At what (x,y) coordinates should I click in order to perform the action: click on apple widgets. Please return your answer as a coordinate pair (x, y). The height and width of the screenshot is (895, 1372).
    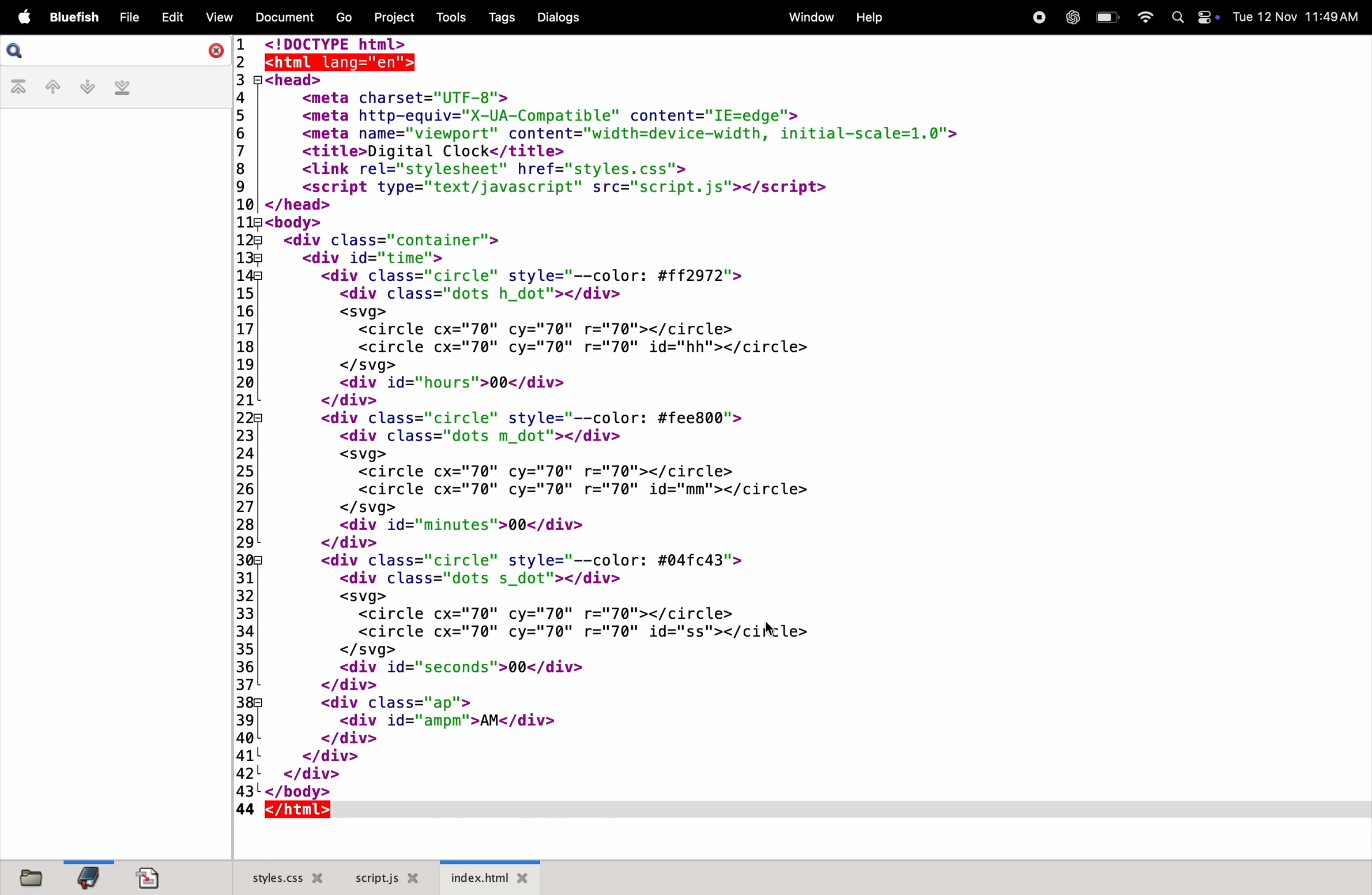
    Looking at the image, I should click on (1197, 17).